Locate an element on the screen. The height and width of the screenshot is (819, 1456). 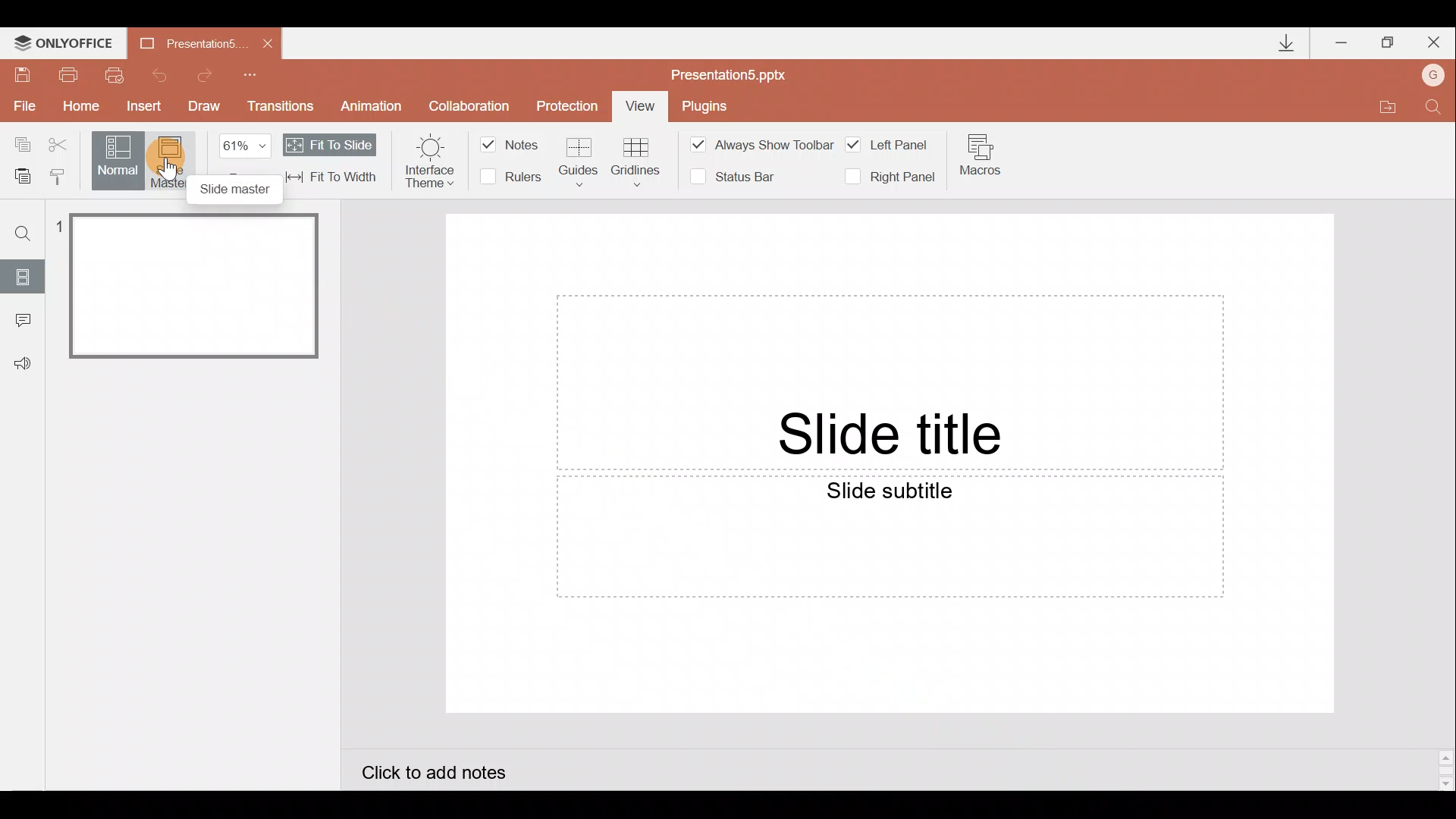
Downloads is located at coordinates (1280, 42).